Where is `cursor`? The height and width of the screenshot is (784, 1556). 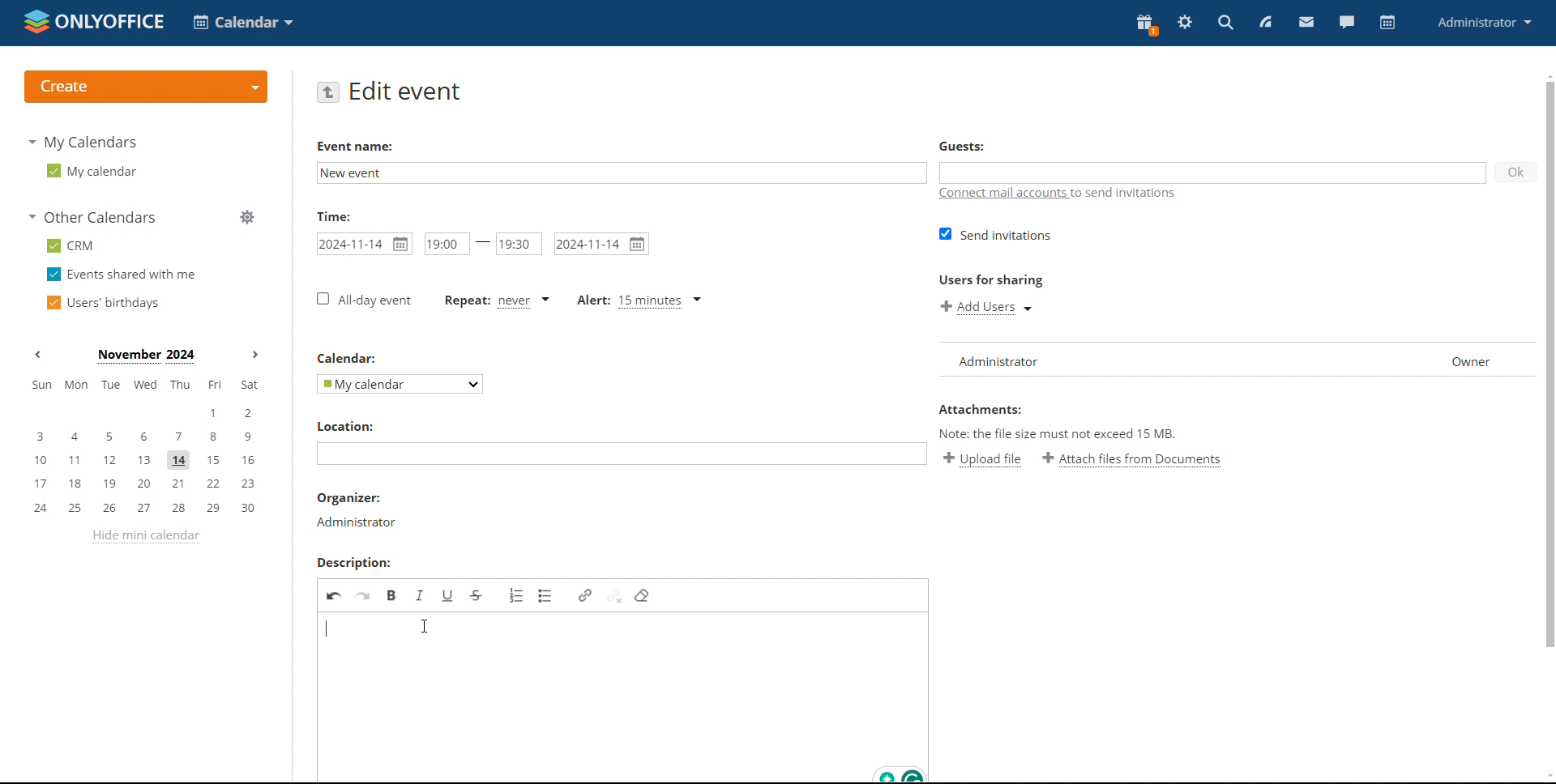
cursor is located at coordinates (426, 627).